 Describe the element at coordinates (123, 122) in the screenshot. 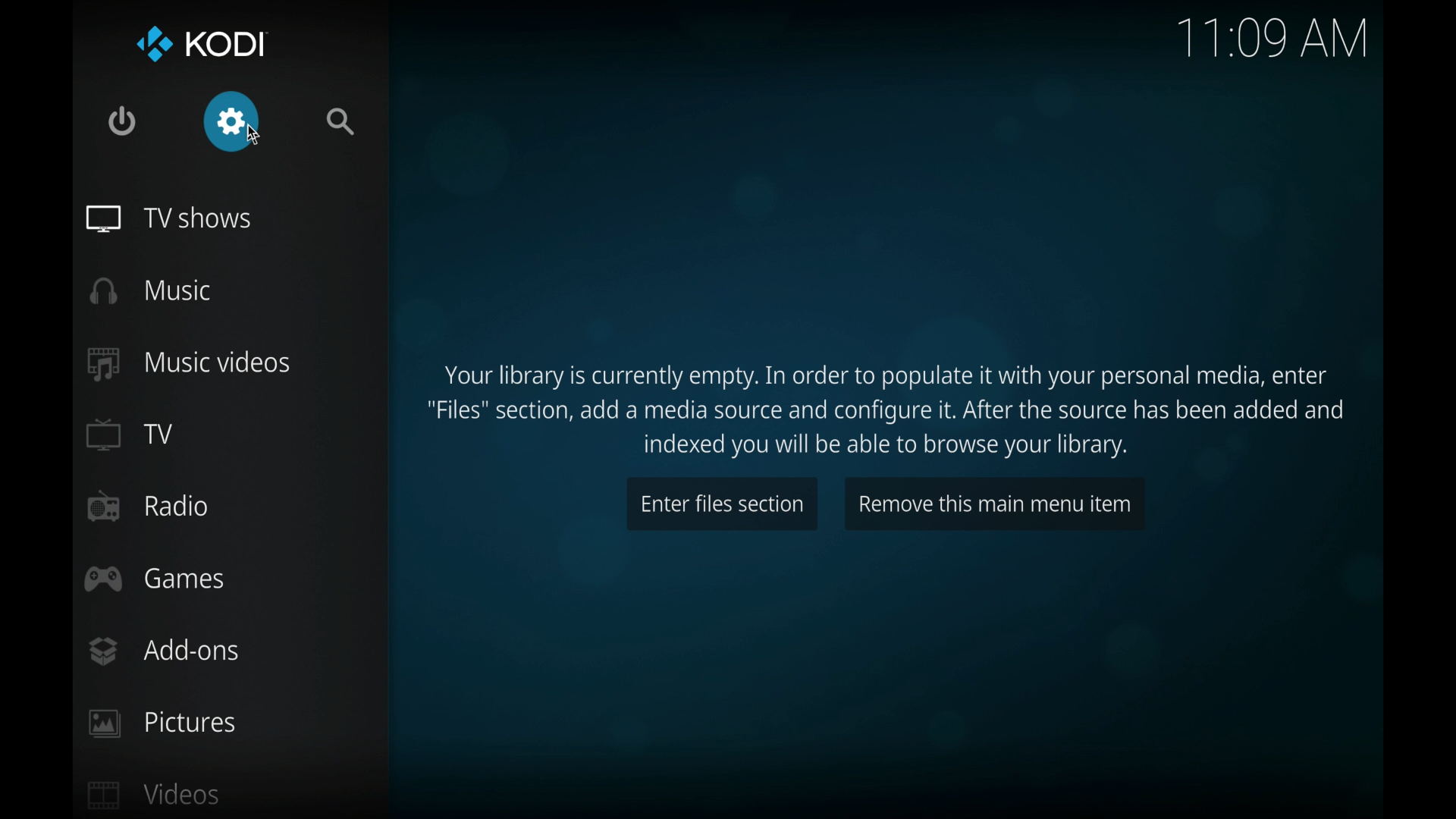

I see `quit kodi` at that location.